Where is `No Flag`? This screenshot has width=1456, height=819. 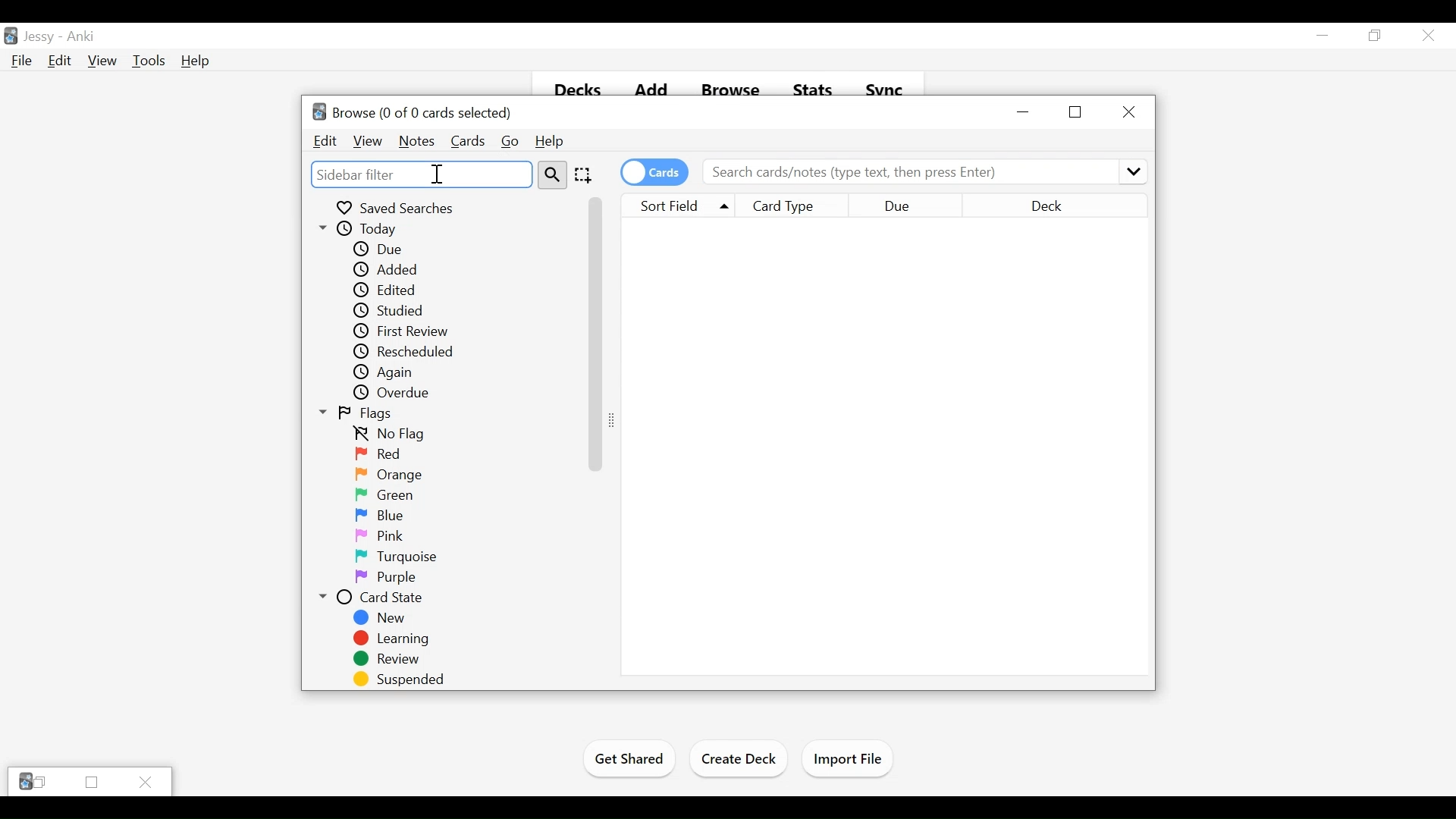
No Flag is located at coordinates (392, 434).